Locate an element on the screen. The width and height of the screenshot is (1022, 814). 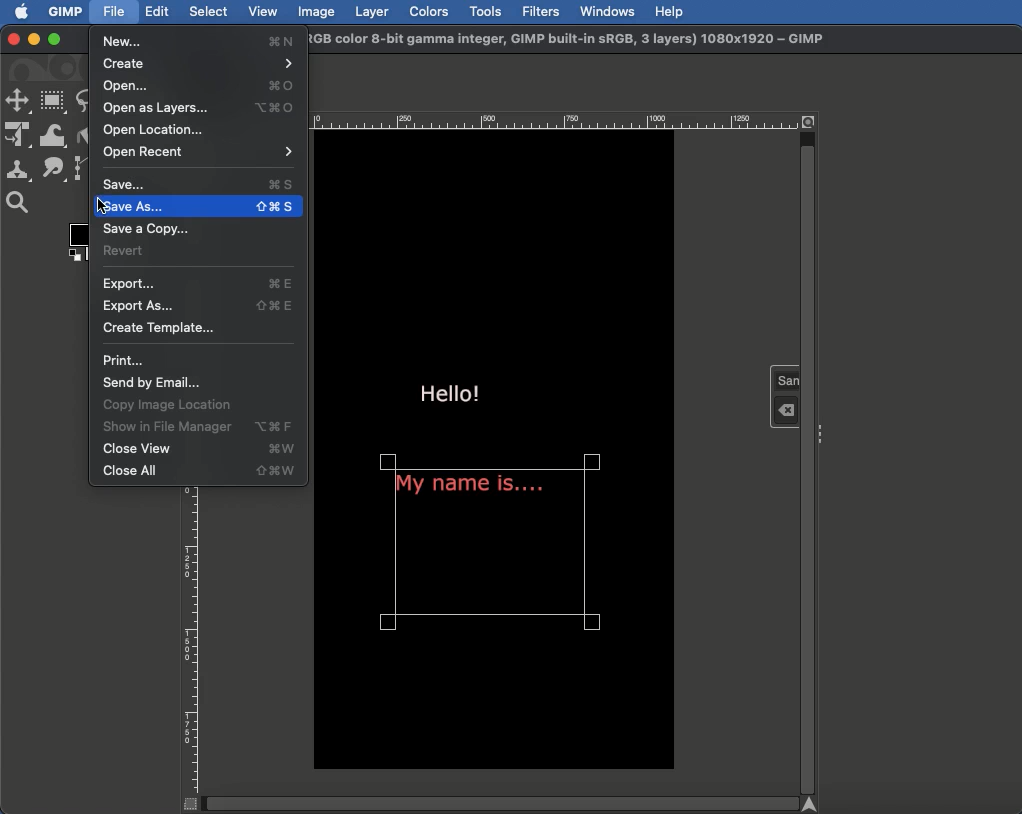
Revert is located at coordinates (125, 252).